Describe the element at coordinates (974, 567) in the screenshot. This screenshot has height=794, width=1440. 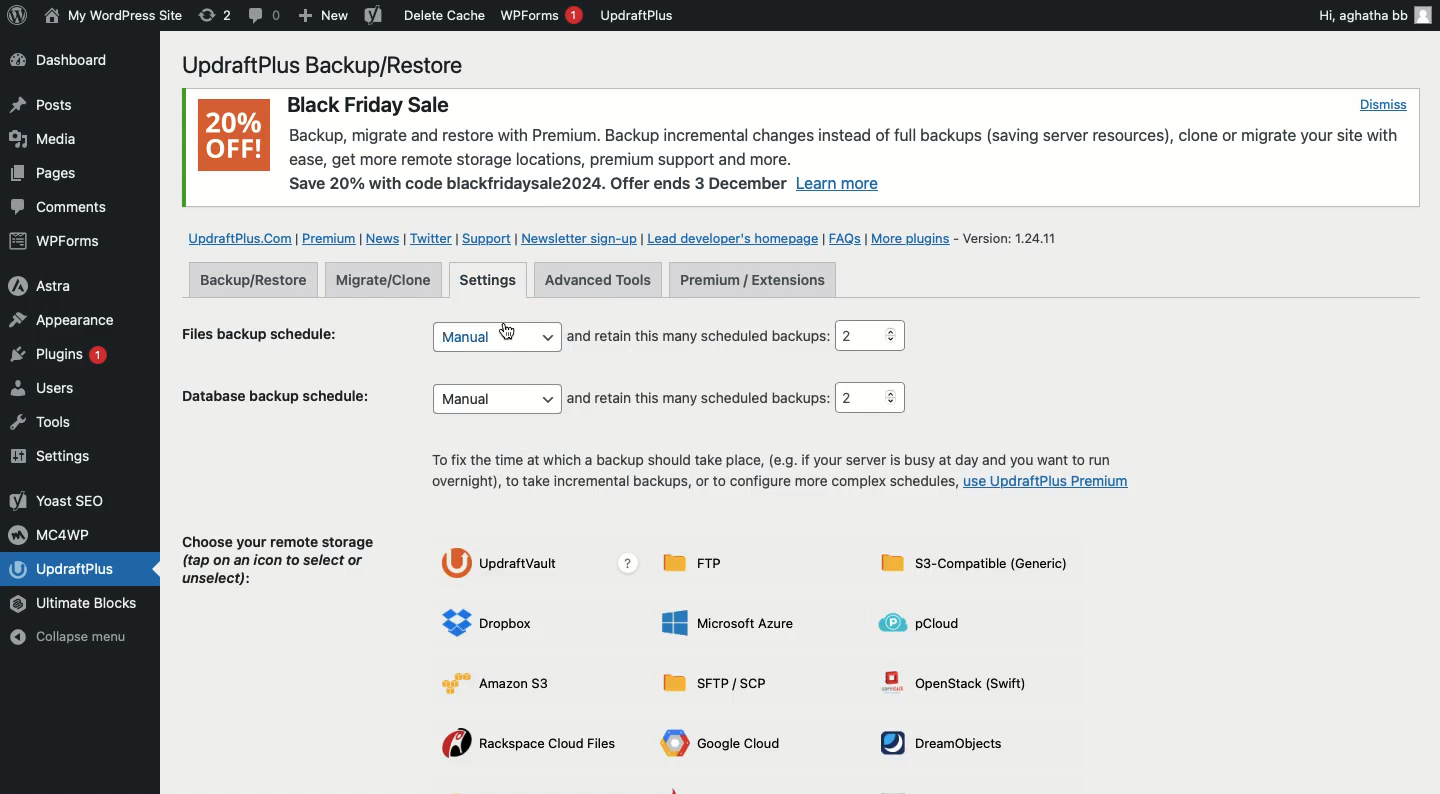
I see `S3-compatible generic` at that location.